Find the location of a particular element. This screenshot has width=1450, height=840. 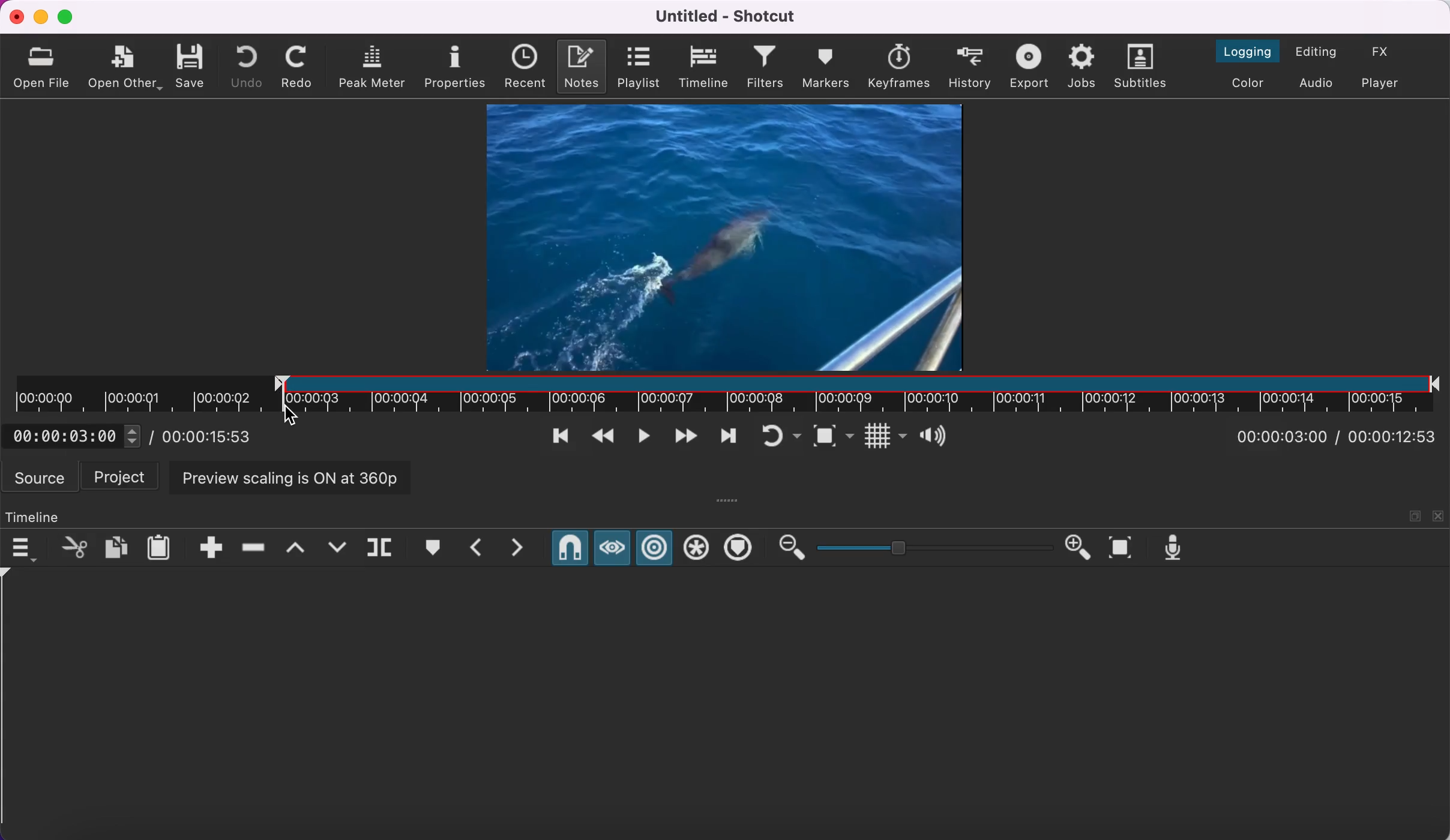

next marker is located at coordinates (520, 548).